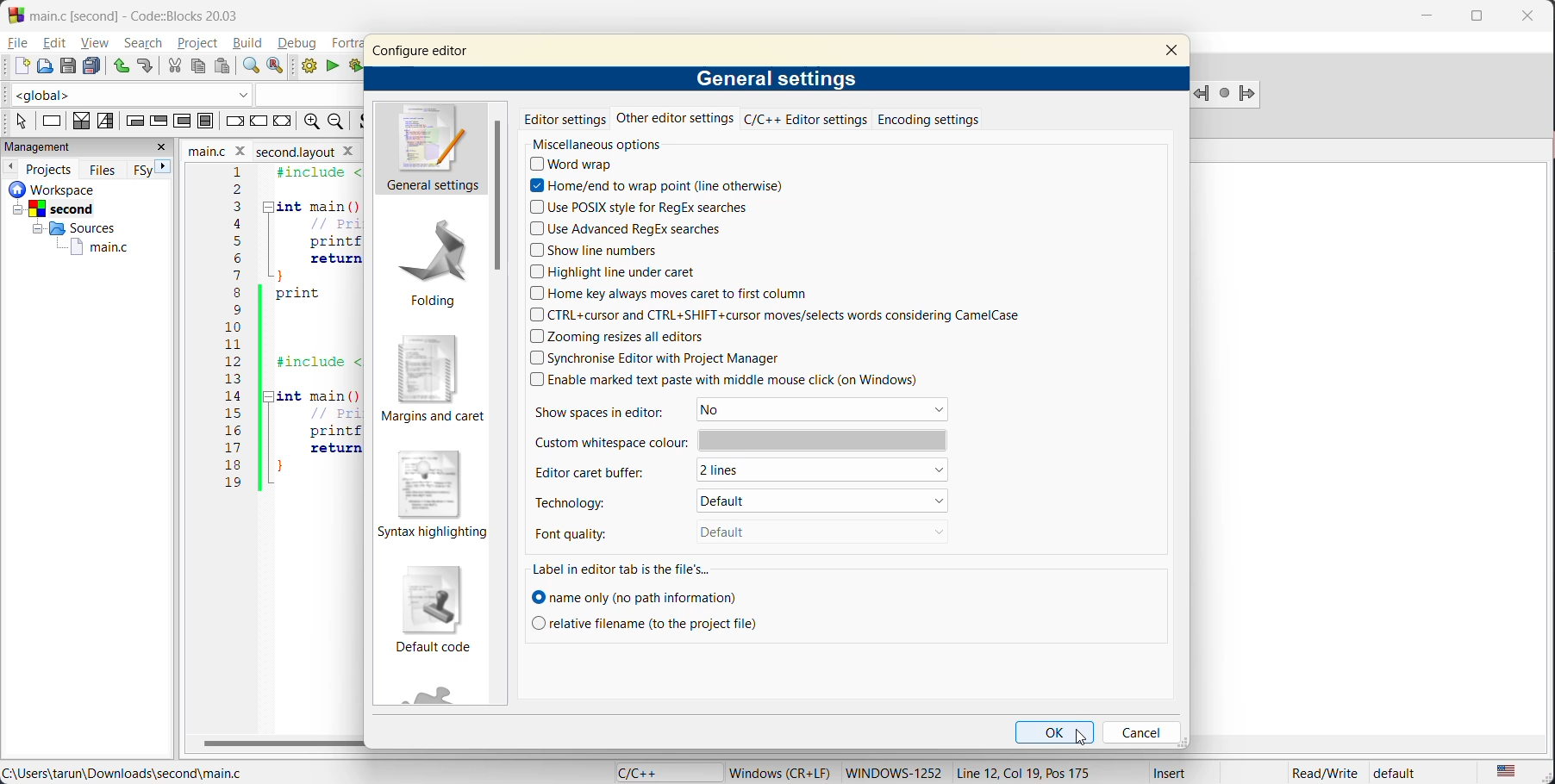  What do you see at coordinates (127, 774) in the screenshot?
I see `file location` at bounding box center [127, 774].